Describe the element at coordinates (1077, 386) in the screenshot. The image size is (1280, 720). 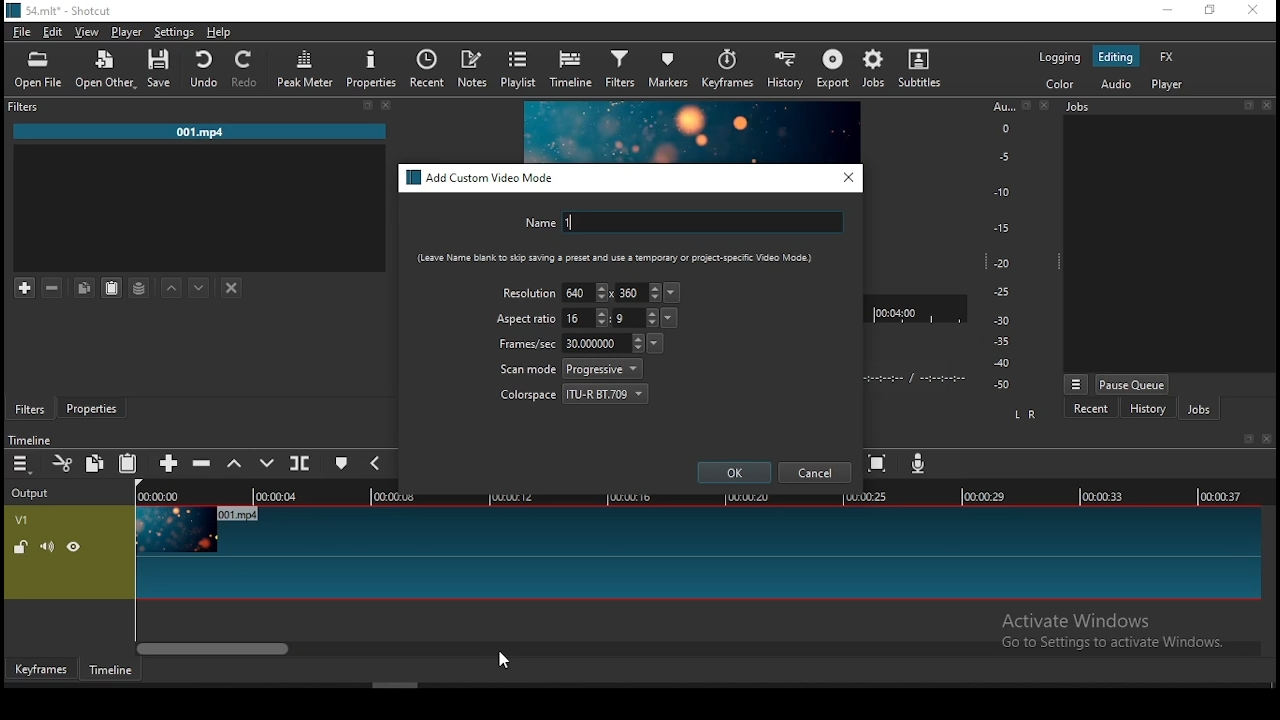
I see `jobs menu` at that location.